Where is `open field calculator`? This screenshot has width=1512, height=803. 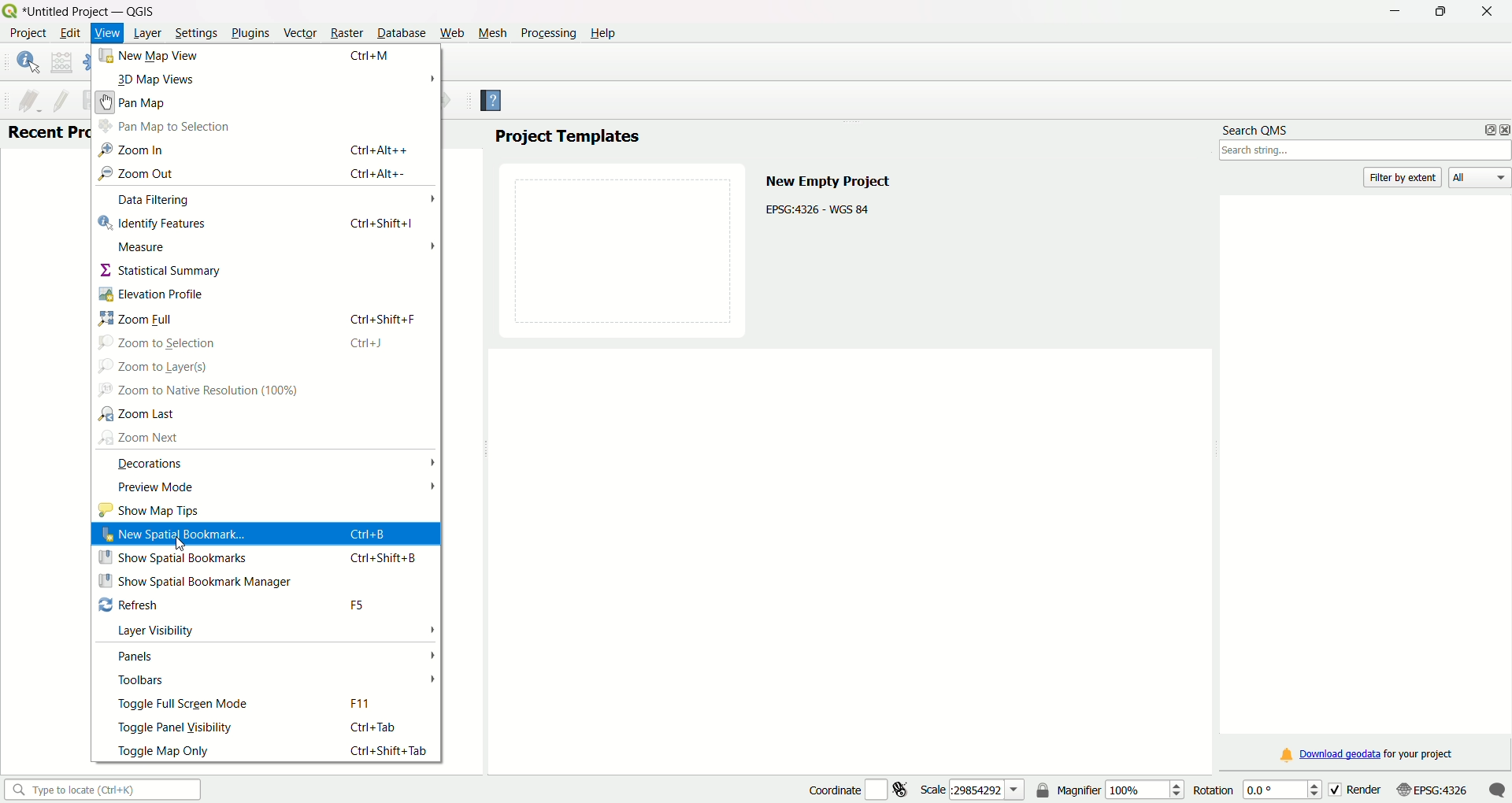 open field calculator is located at coordinates (62, 62).